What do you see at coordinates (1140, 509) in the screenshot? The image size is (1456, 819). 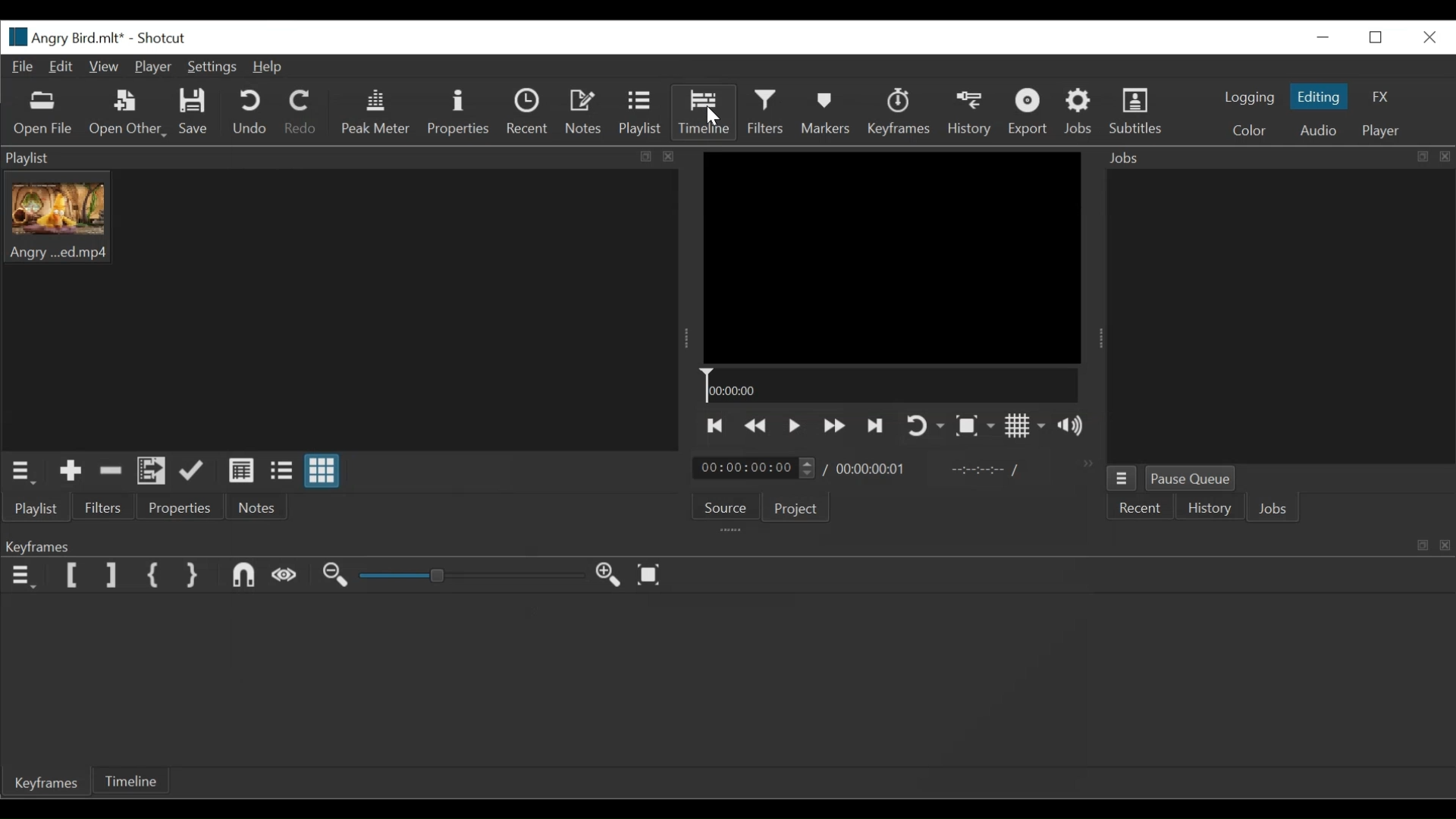 I see `Recent` at bounding box center [1140, 509].